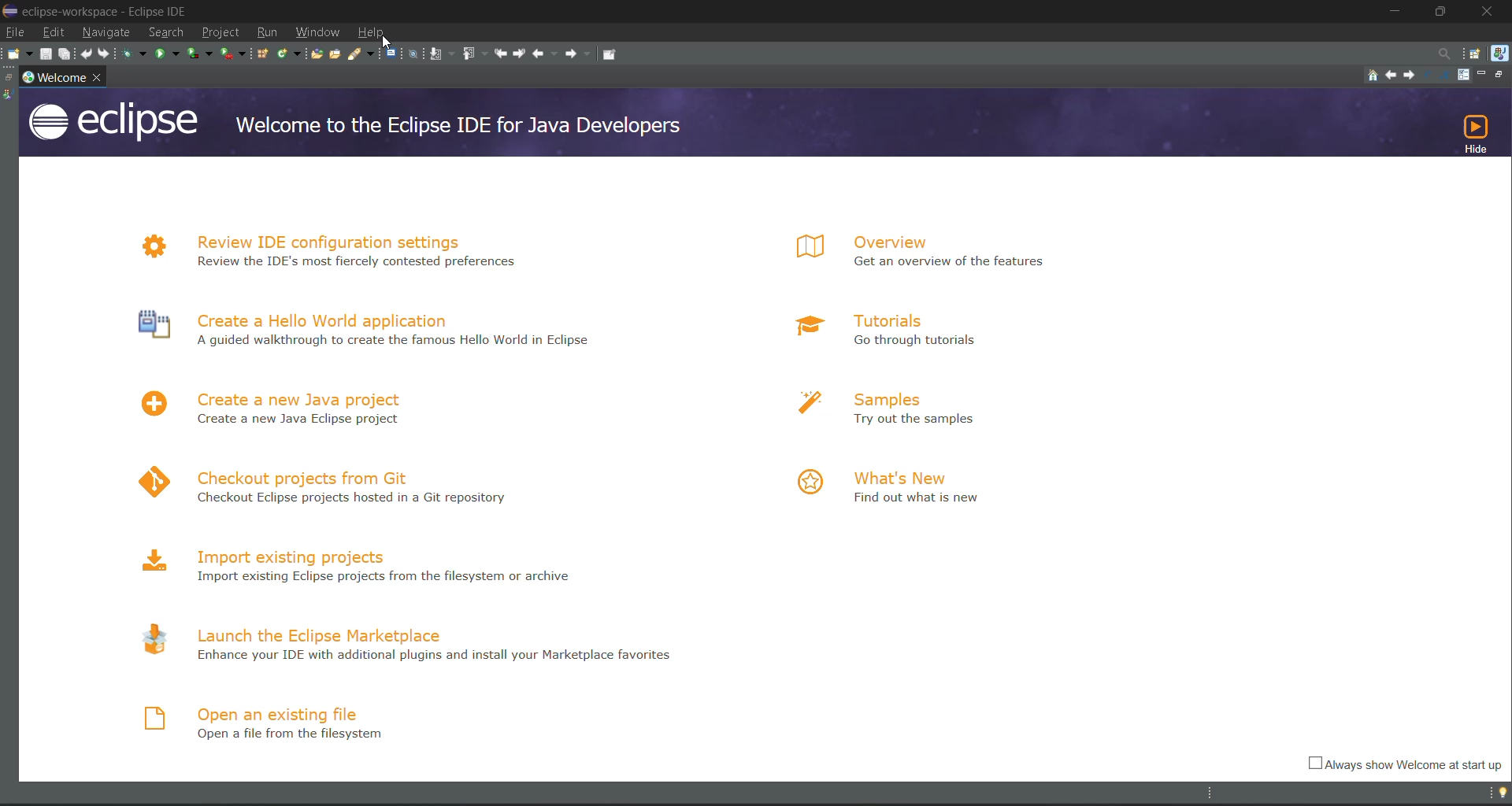  What do you see at coordinates (1473, 132) in the screenshot?
I see `hide` at bounding box center [1473, 132].